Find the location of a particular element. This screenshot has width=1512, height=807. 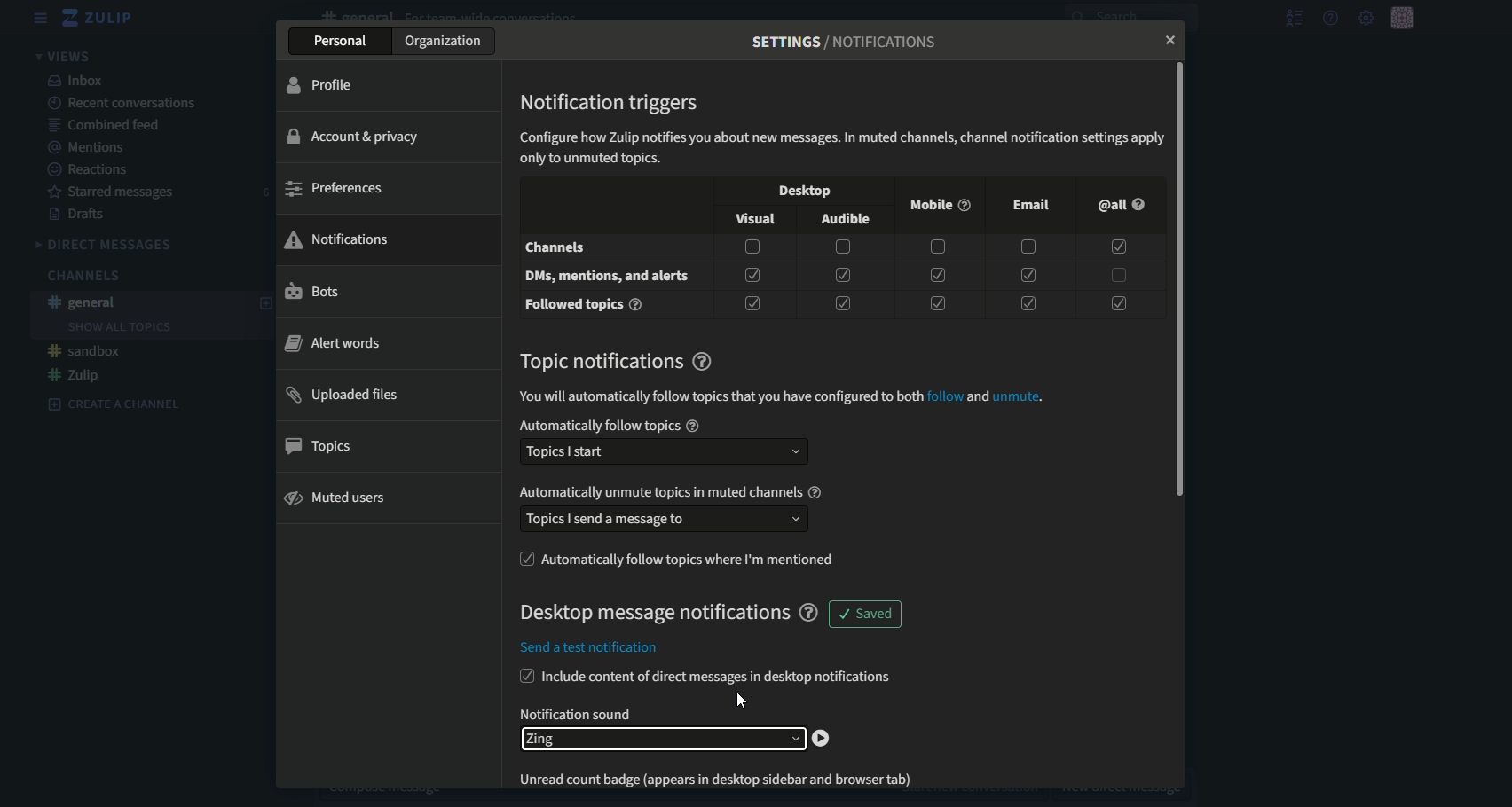

mentions is located at coordinates (92, 147).